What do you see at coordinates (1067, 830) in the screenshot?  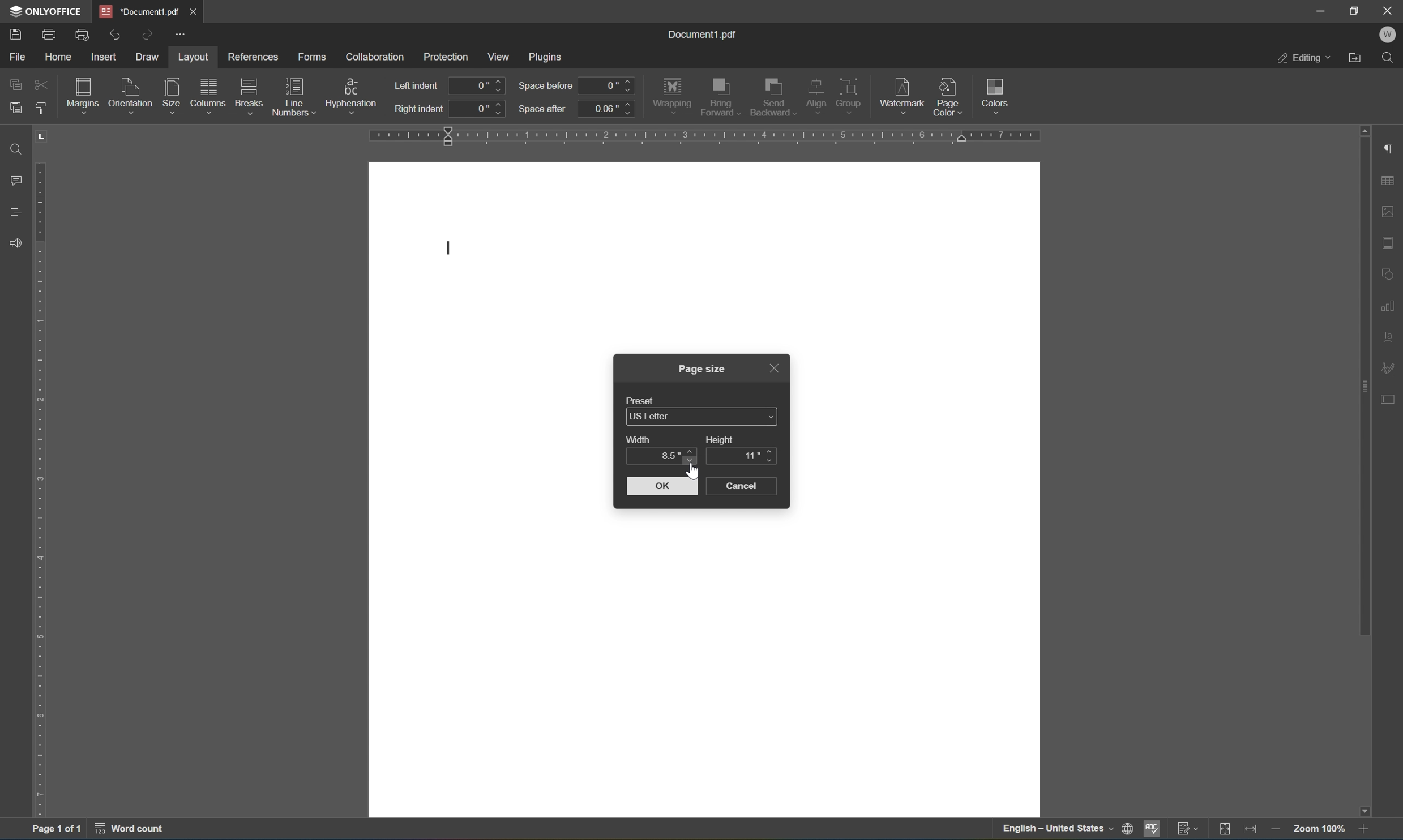 I see `set document language` at bounding box center [1067, 830].